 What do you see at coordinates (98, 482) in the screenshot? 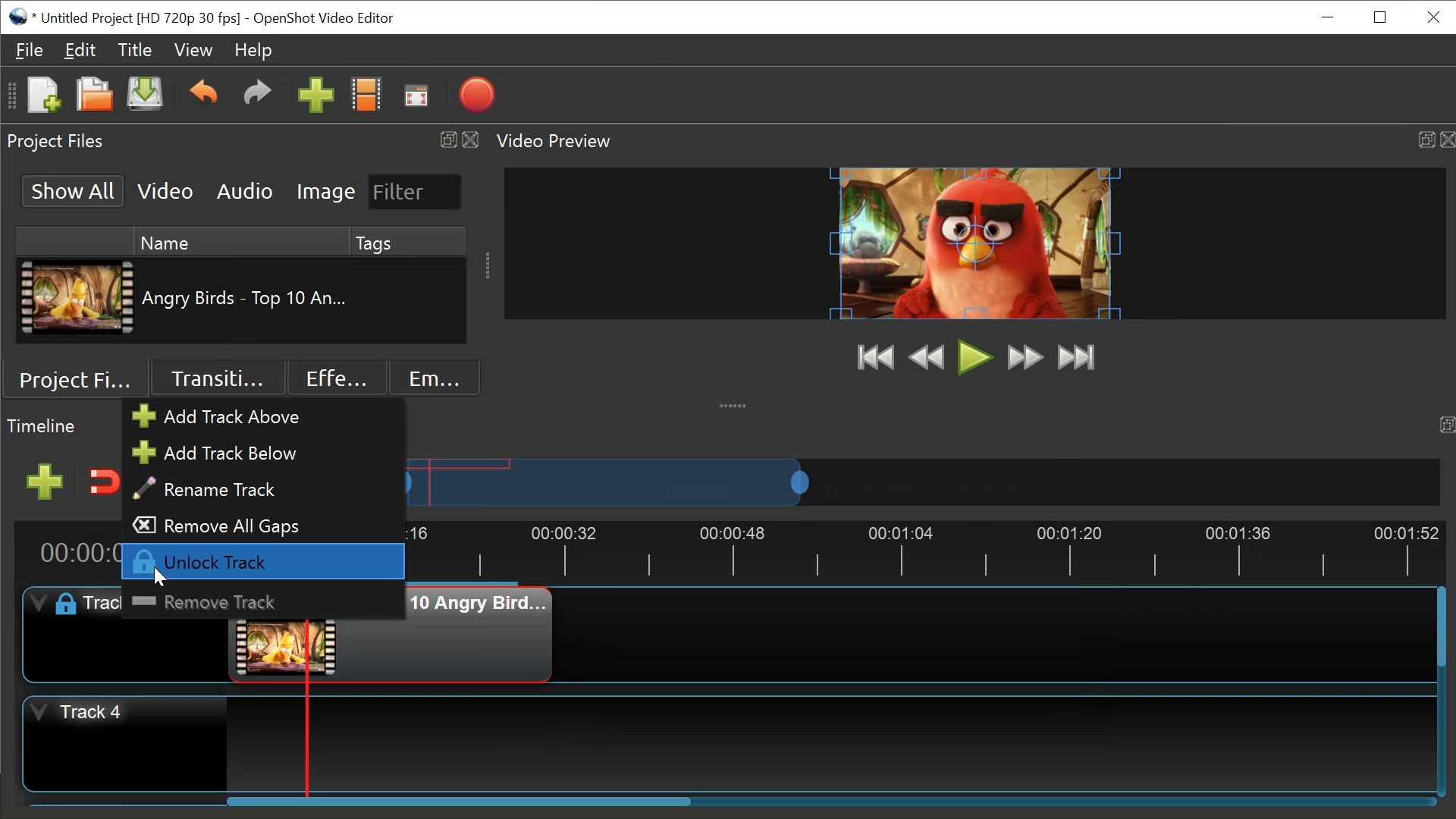
I see `Snap` at bounding box center [98, 482].